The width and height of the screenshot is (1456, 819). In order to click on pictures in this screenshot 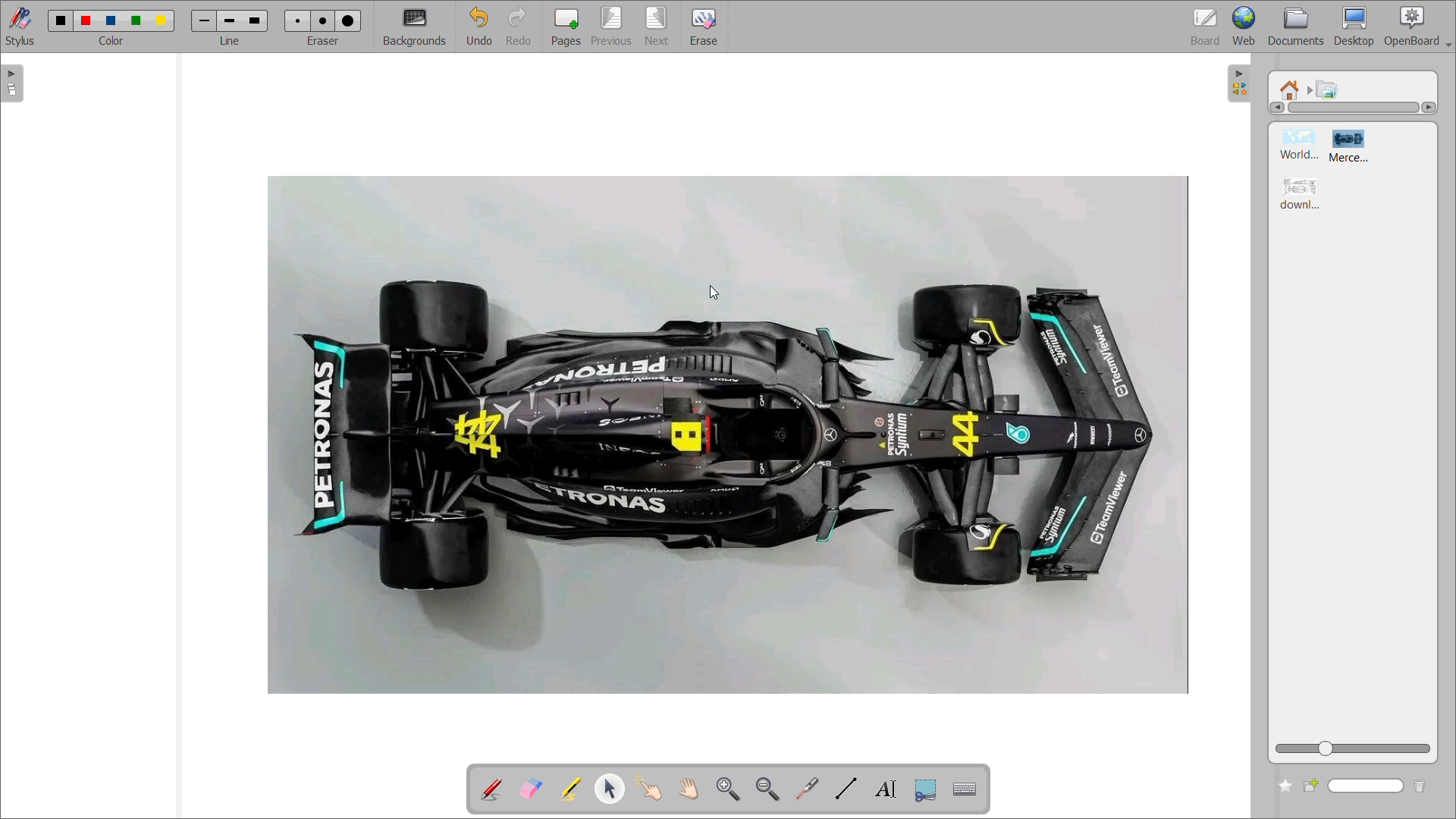, I will do `click(1330, 89)`.